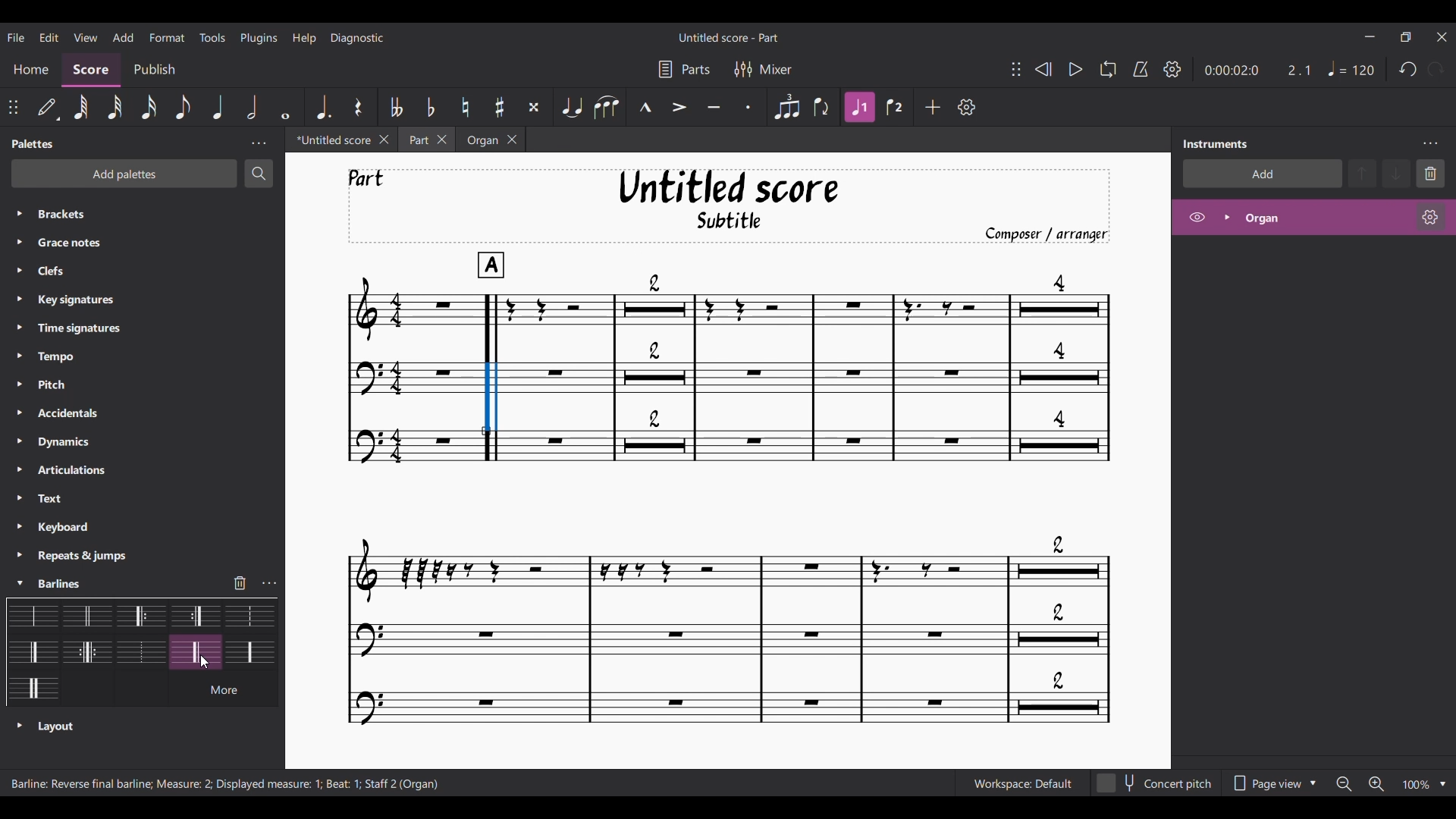 The width and height of the screenshot is (1456, 819). What do you see at coordinates (80, 108) in the screenshot?
I see `64th note` at bounding box center [80, 108].